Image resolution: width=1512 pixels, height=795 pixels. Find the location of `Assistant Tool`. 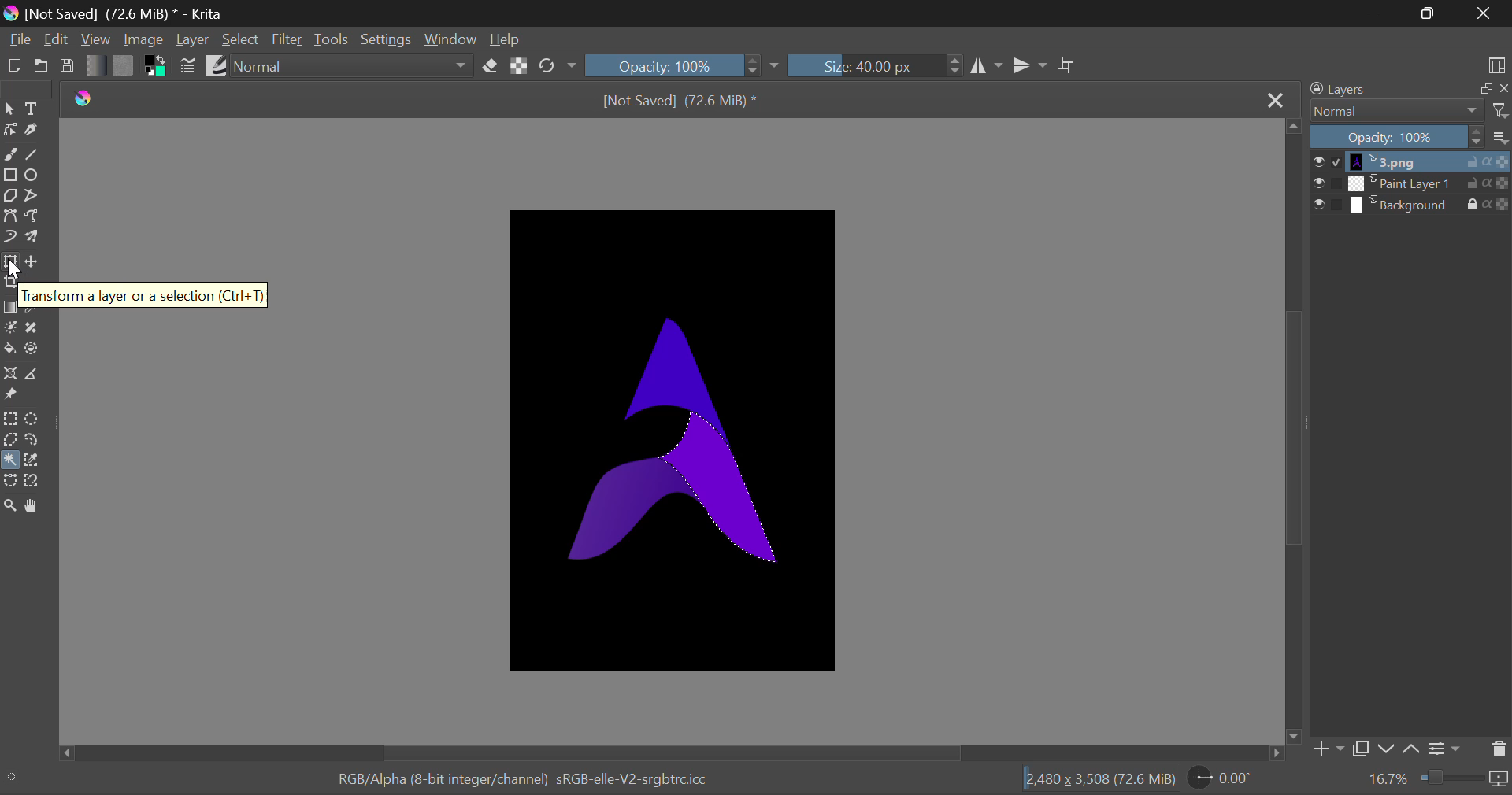

Assistant Tool is located at coordinates (9, 374).